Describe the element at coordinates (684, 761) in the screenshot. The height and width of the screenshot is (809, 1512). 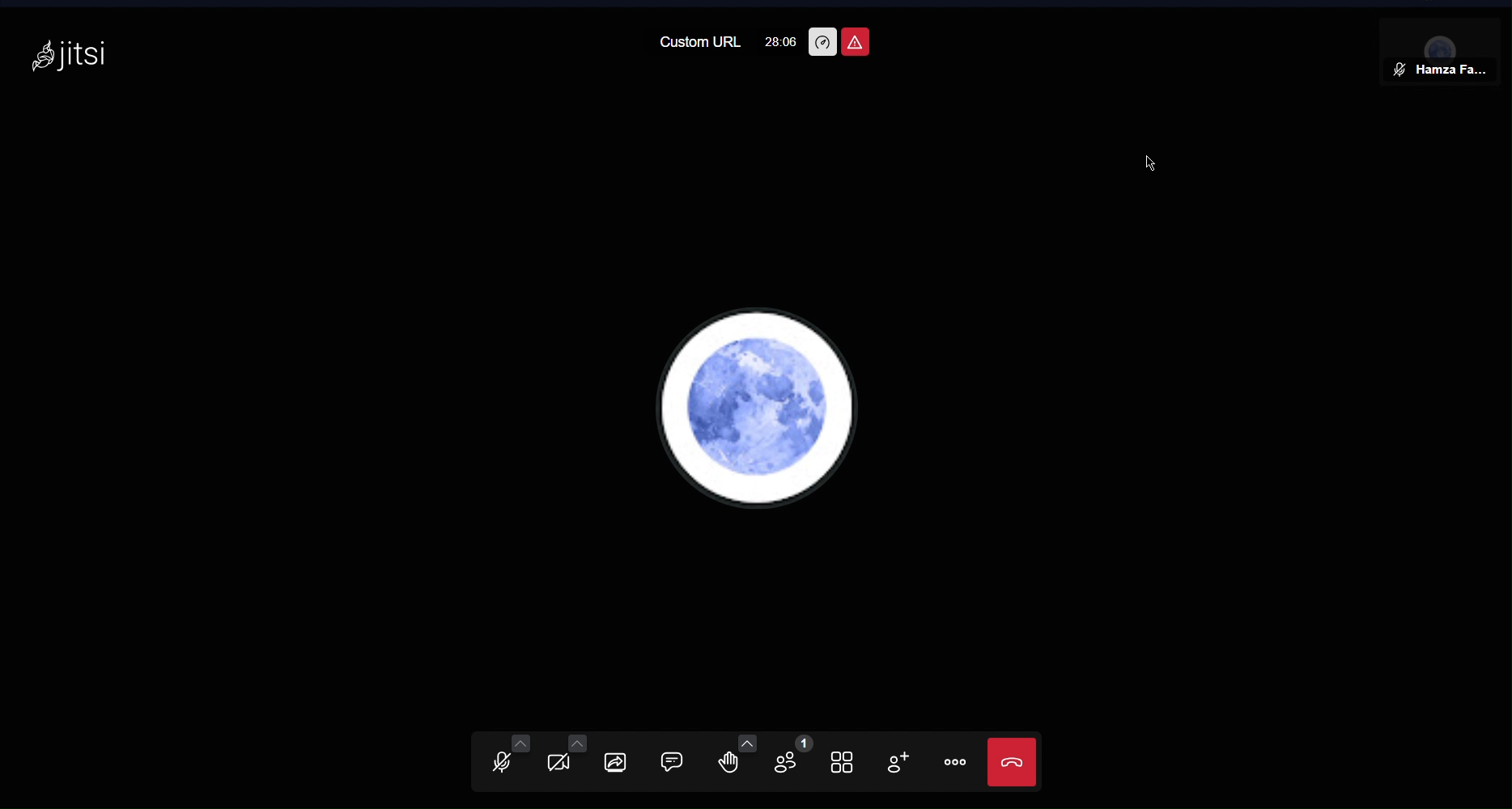
I see `Chat` at that location.